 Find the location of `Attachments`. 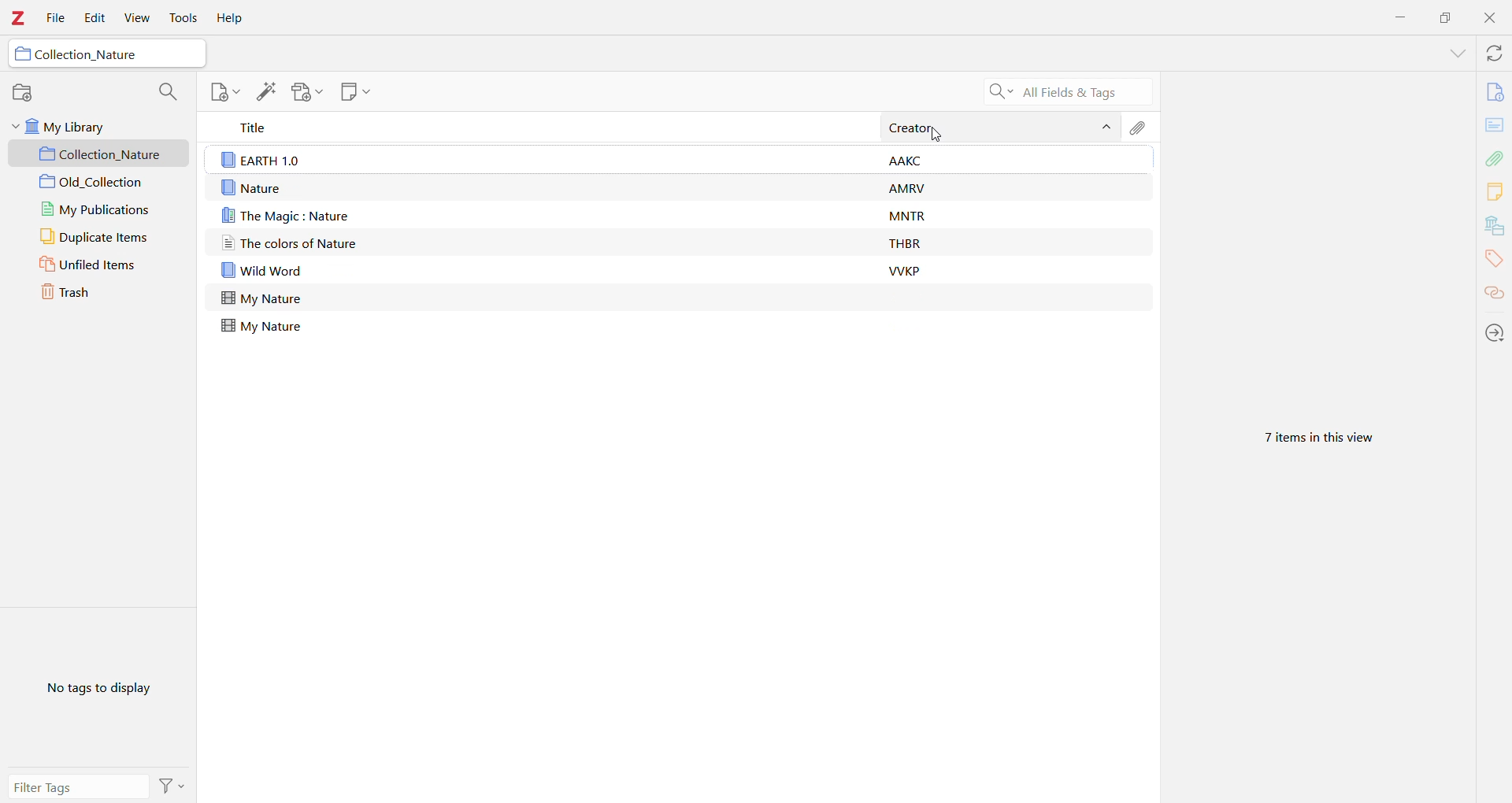

Attachments is located at coordinates (1140, 128).